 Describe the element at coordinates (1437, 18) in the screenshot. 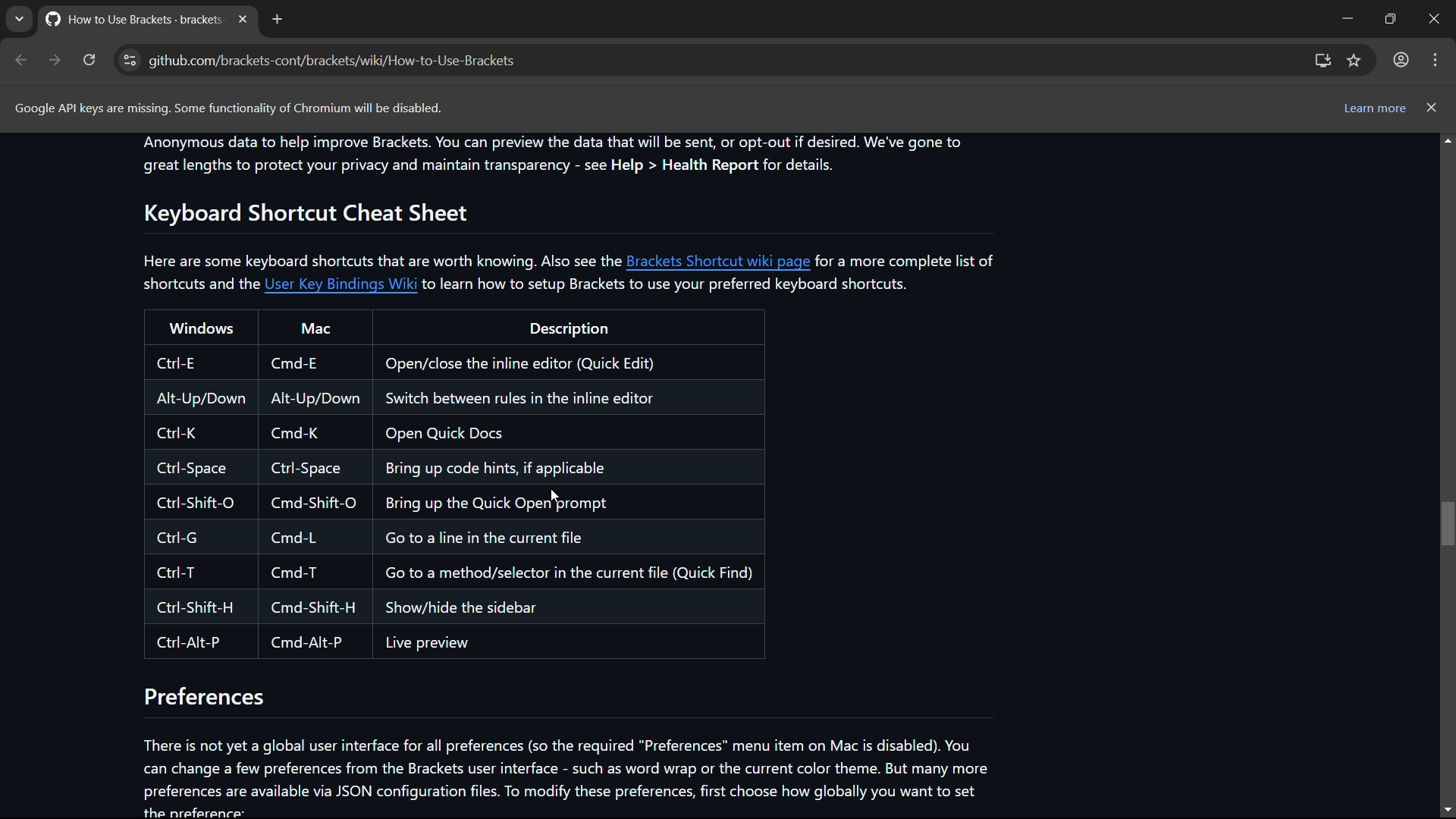

I see `close app` at that location.